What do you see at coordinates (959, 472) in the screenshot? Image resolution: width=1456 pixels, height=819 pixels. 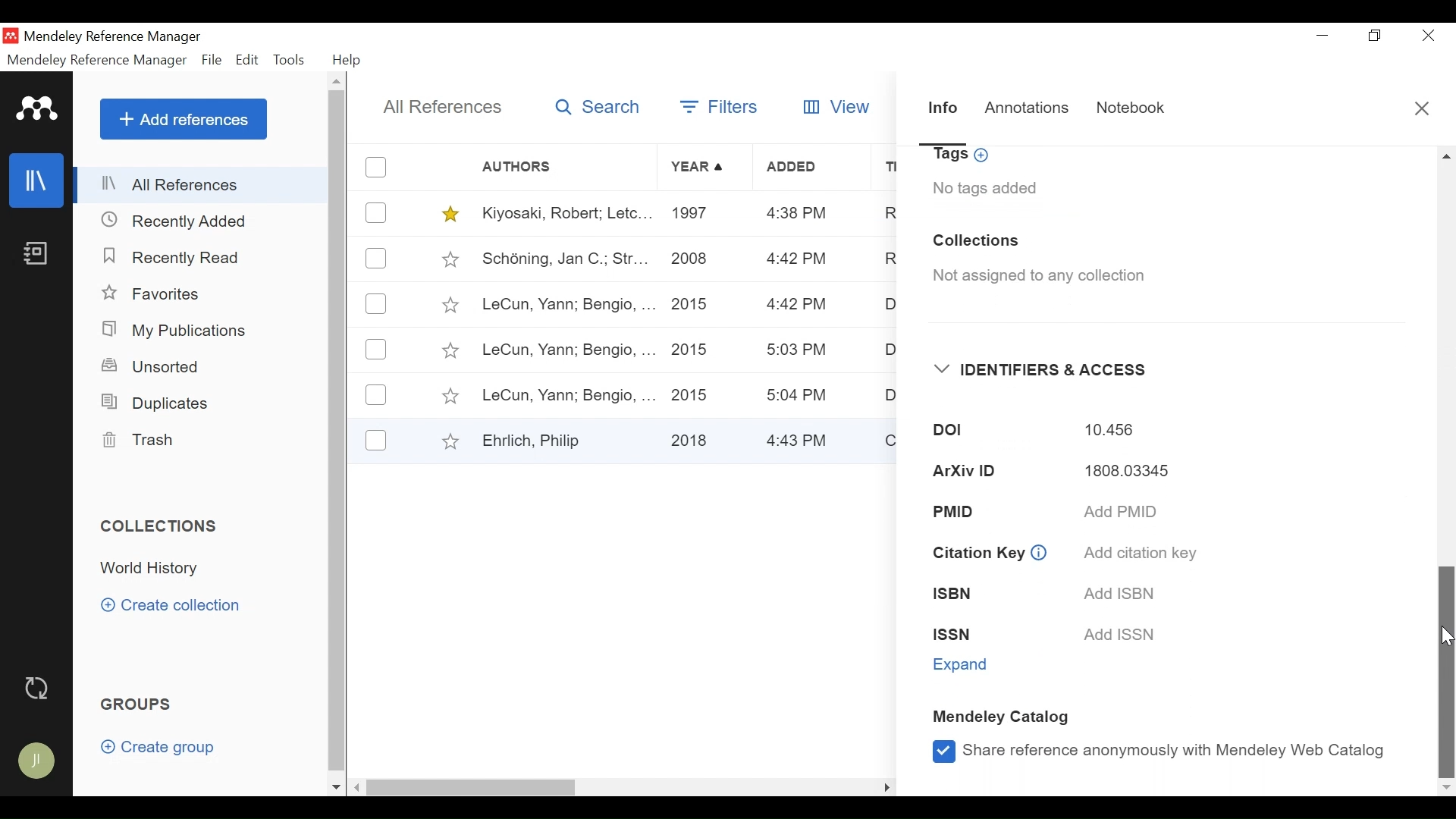 I see `ArXiv ID` at bounding box center [959, 472].